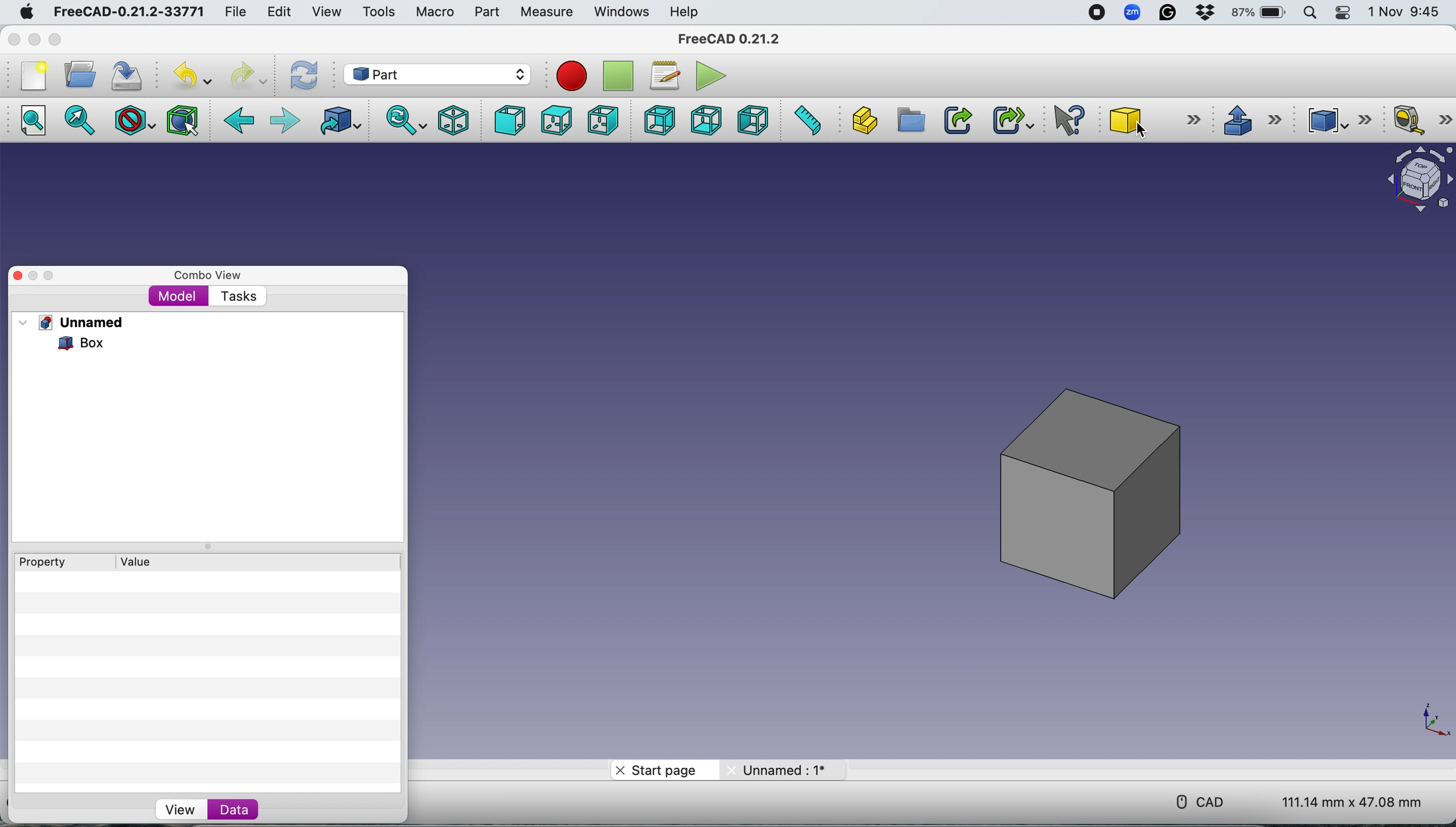 This screenshot has width=1456, height=827. What do you see at coordinates (1169, 12) in the screenshot?
I see `Grammarly` at bounding box center [1169, 12].